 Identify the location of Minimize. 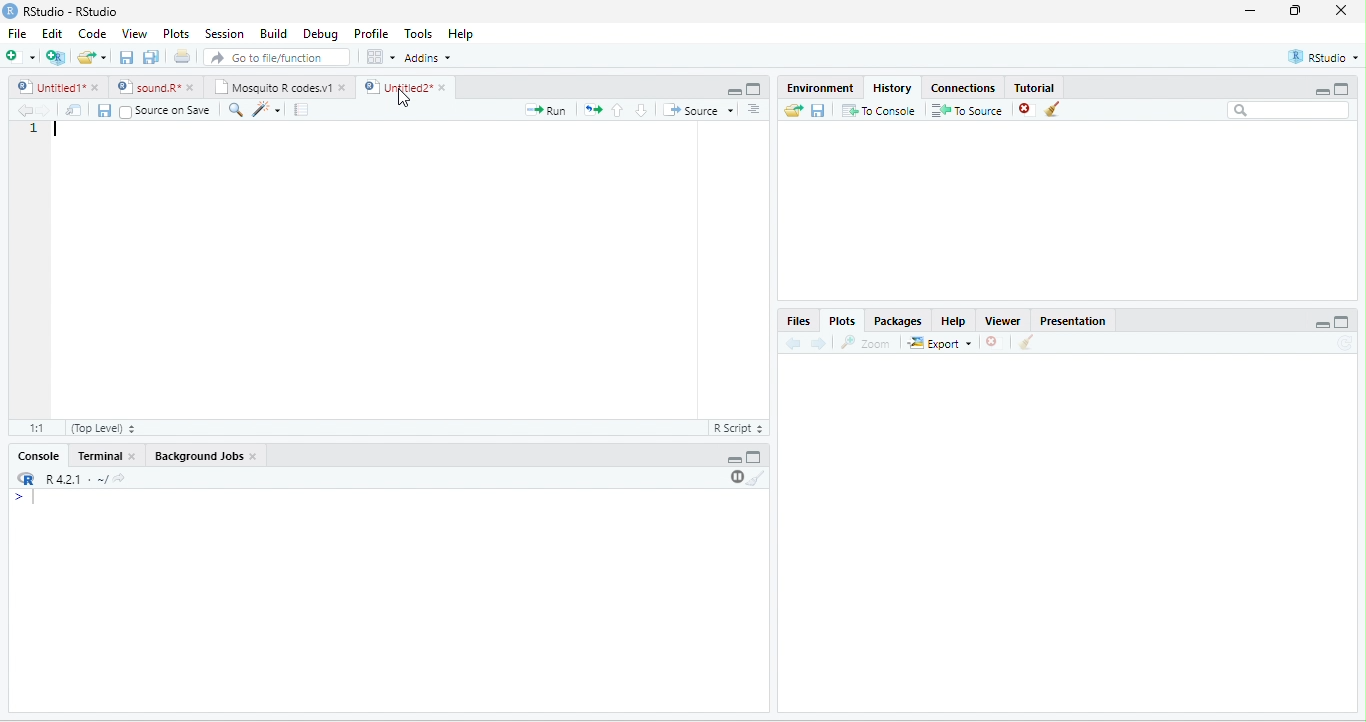
(1322, 326).